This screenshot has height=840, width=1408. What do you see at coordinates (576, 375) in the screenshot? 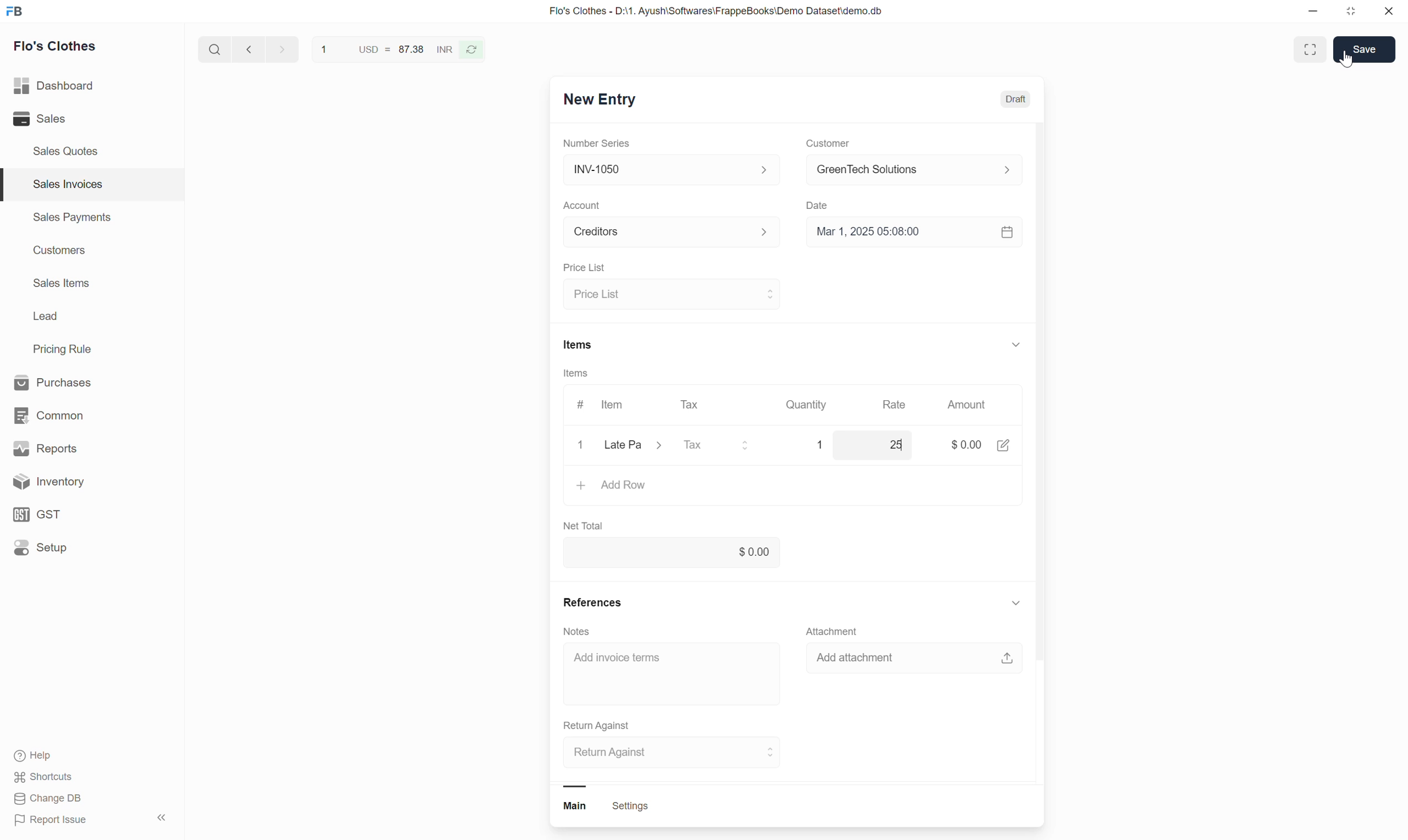
I see `Items` at bounding box center [576, 375].